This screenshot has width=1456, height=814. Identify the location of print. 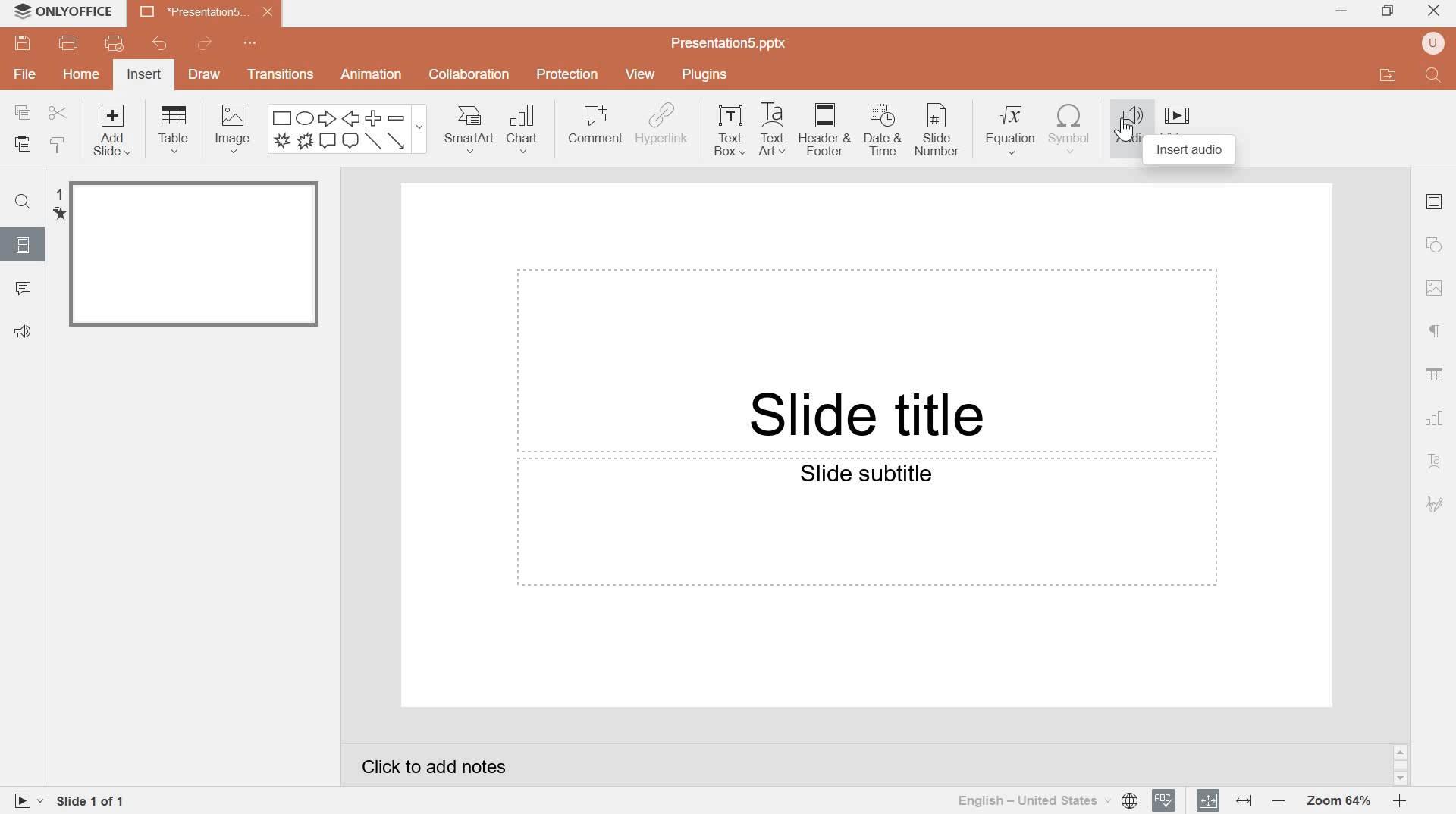
(69, 43).